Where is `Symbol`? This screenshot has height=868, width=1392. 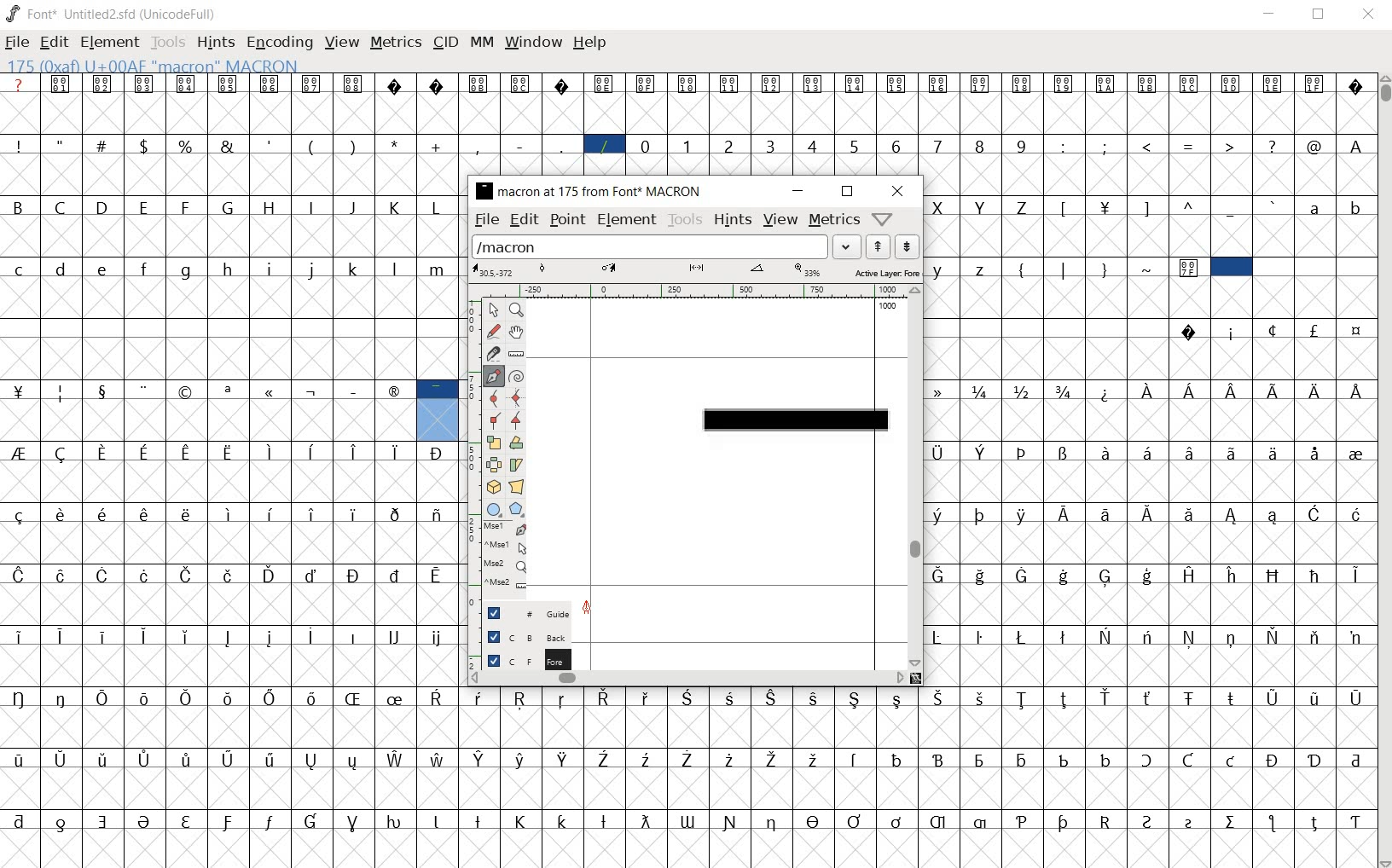 Symbol is located at coordinates (1107, 576).